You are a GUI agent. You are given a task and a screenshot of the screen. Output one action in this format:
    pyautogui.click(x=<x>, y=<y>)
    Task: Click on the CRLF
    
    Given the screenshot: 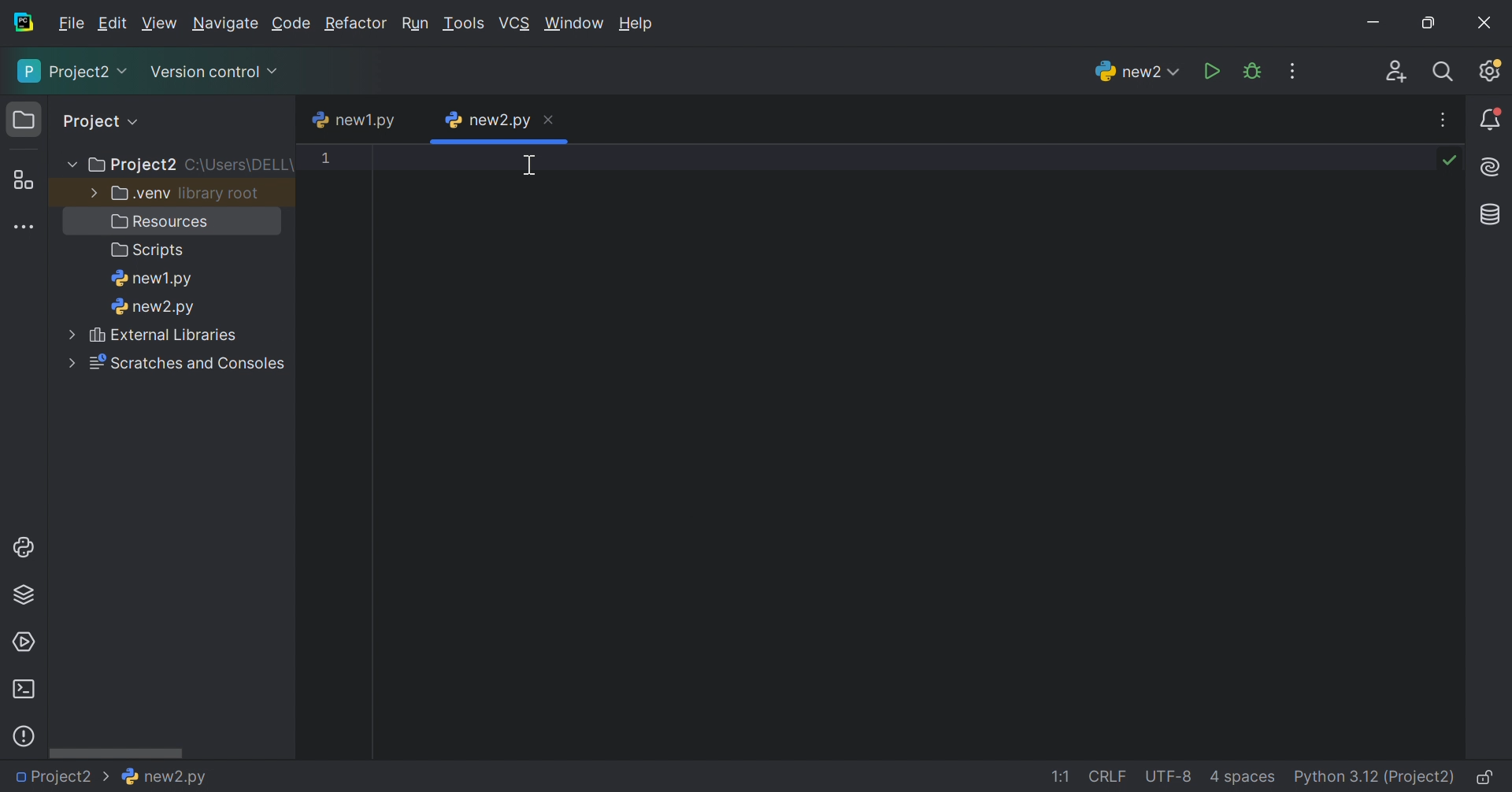 What is the action you would take?
    pyautogui.click(x=1106, y=775)
    